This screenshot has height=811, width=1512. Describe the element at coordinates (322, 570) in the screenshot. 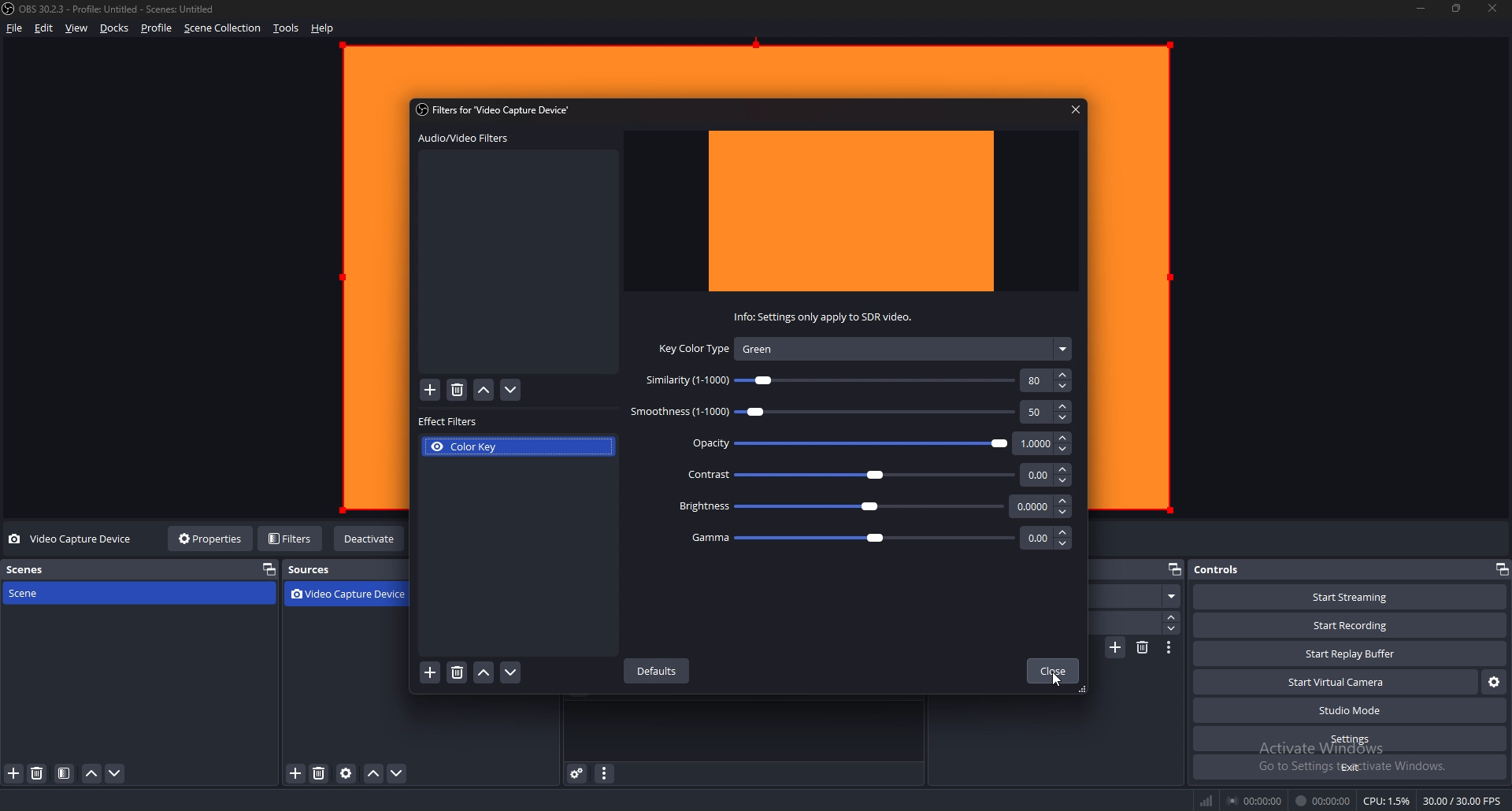

I see `sources` at that location.